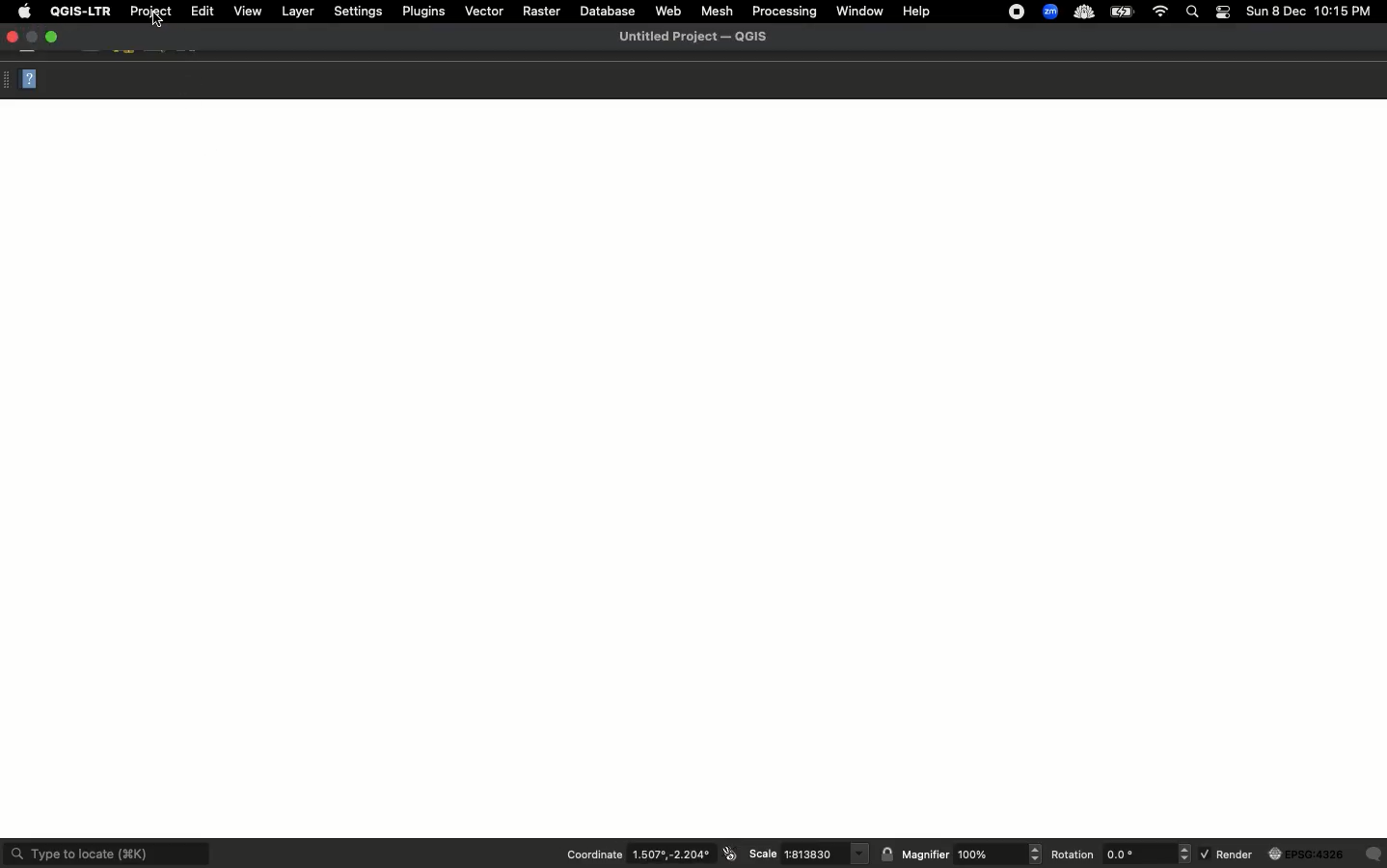 The width and height of the screenshot is (1387, 868). What do you see at coordinates (482, 13) in the screenshot?
I see `Vector` at bounding box center [482, 13].